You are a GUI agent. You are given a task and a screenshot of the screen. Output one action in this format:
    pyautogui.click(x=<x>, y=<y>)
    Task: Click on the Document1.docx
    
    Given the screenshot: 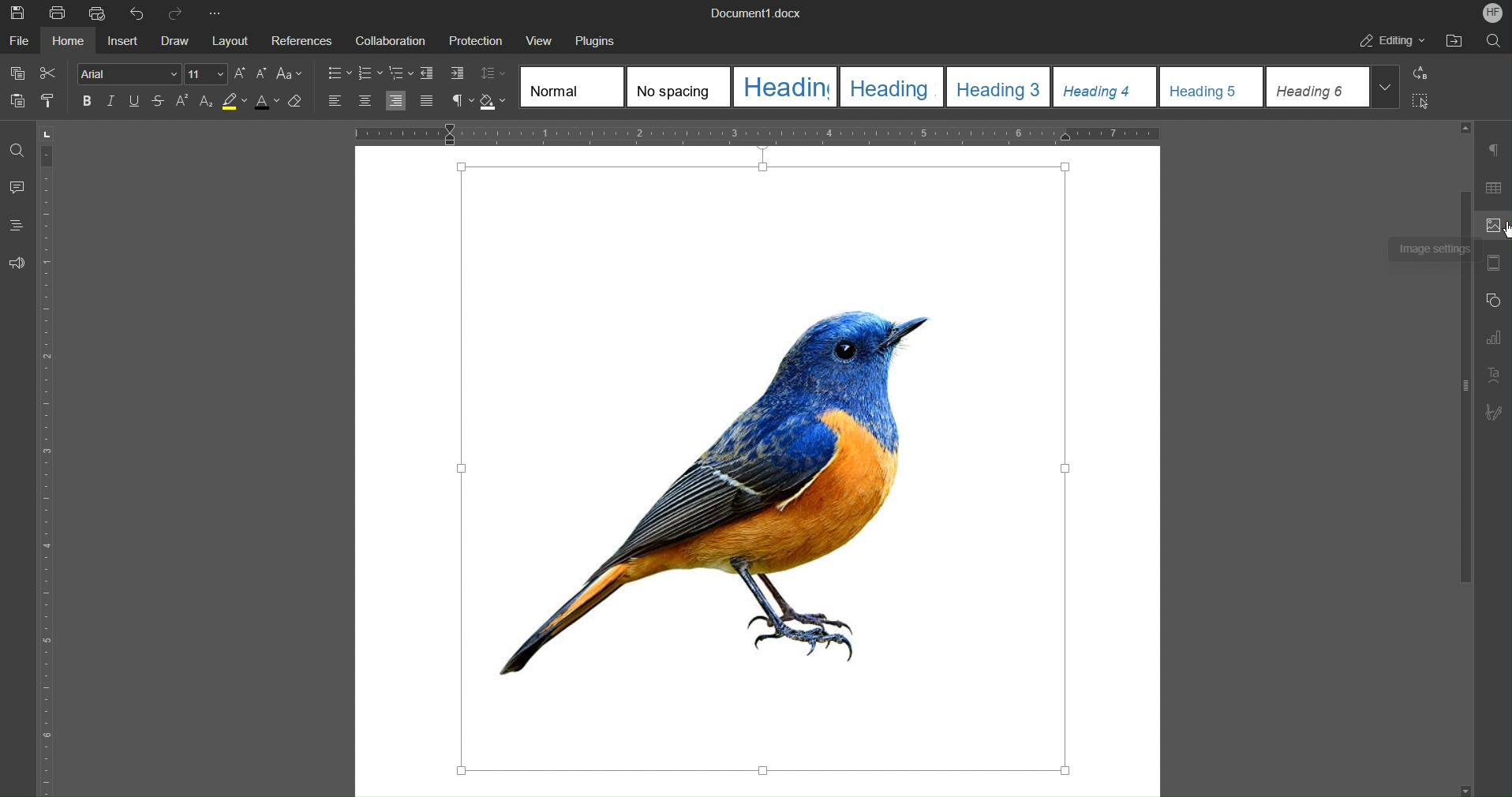 What is the action you would take?
    pyautogui.click(x=756, y=12)
    